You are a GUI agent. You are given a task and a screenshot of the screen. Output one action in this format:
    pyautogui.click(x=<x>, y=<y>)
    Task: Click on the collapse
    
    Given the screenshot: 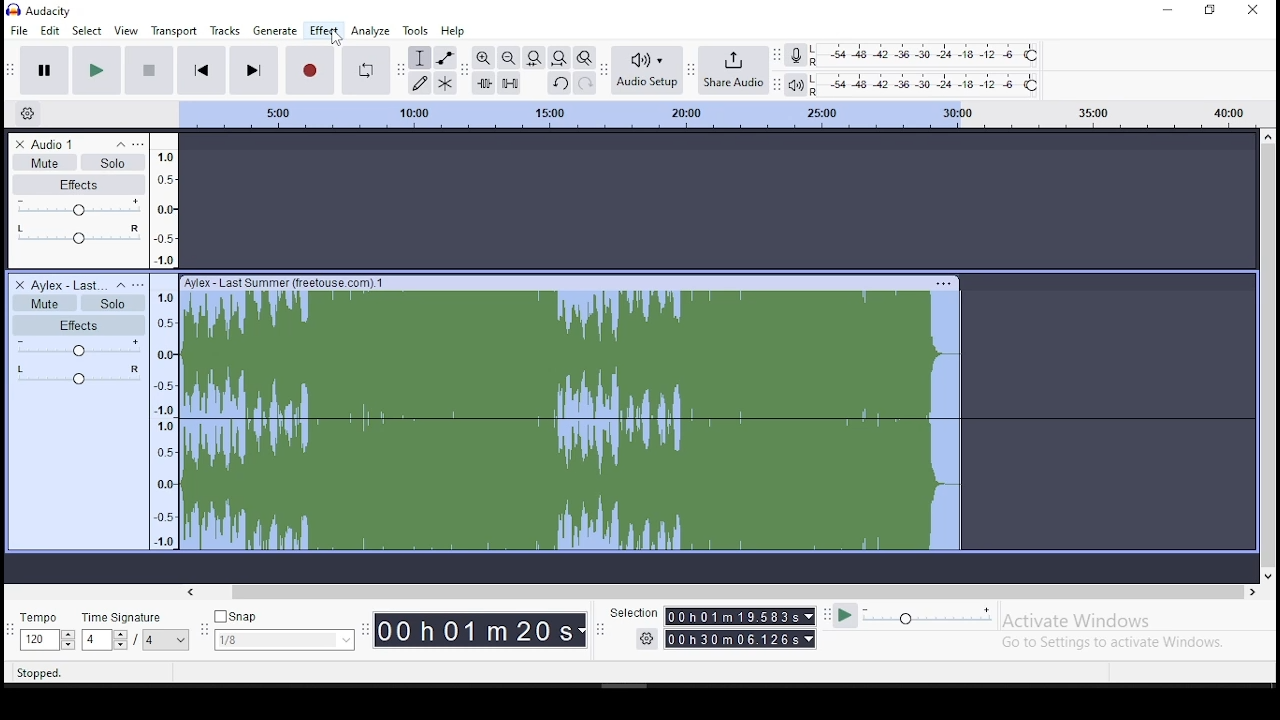 What is the action you would take?
    pyautogui.click(x=119, y=285)
    